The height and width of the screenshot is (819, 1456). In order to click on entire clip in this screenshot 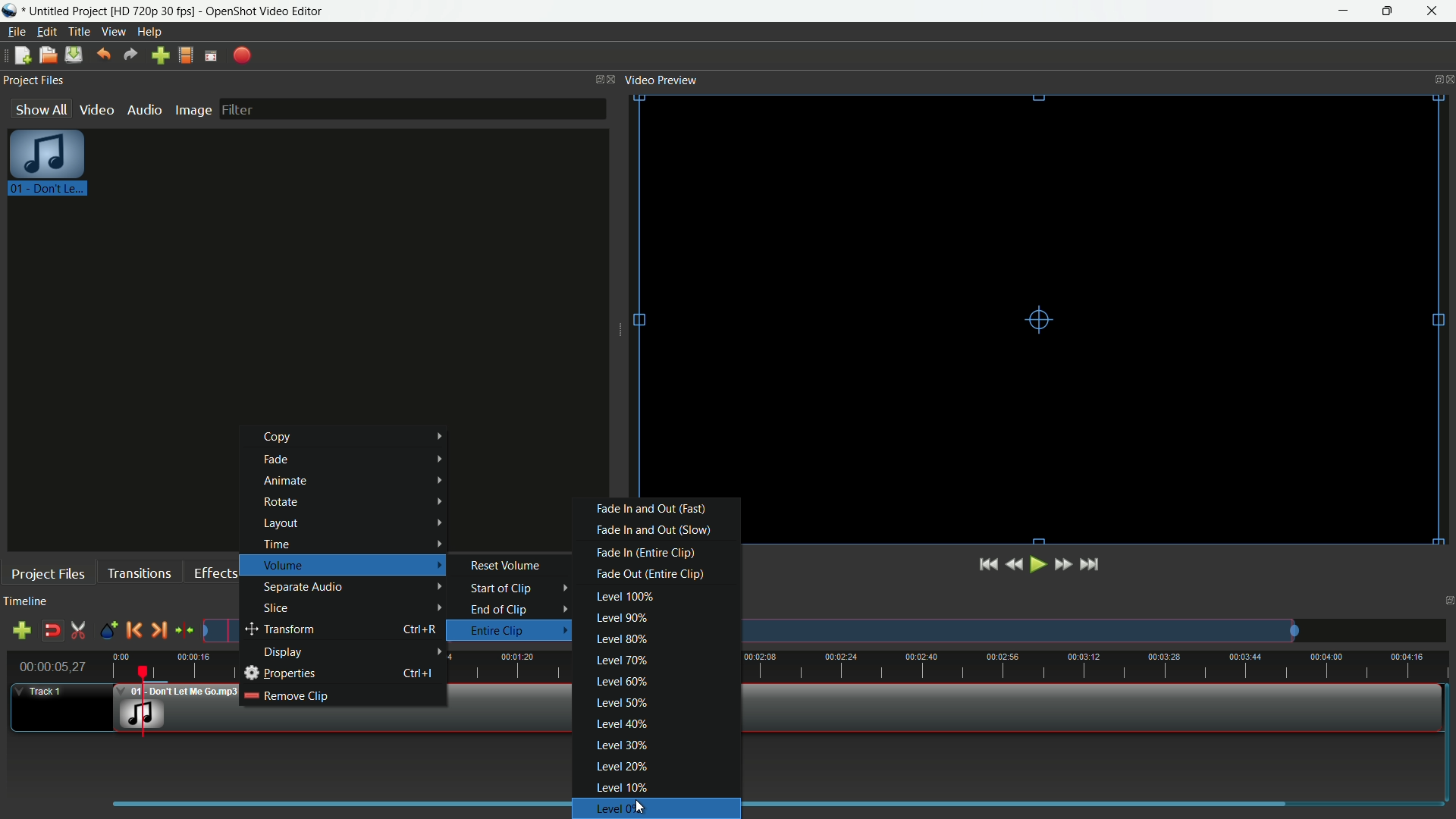, I will do `click(518, 630)`.